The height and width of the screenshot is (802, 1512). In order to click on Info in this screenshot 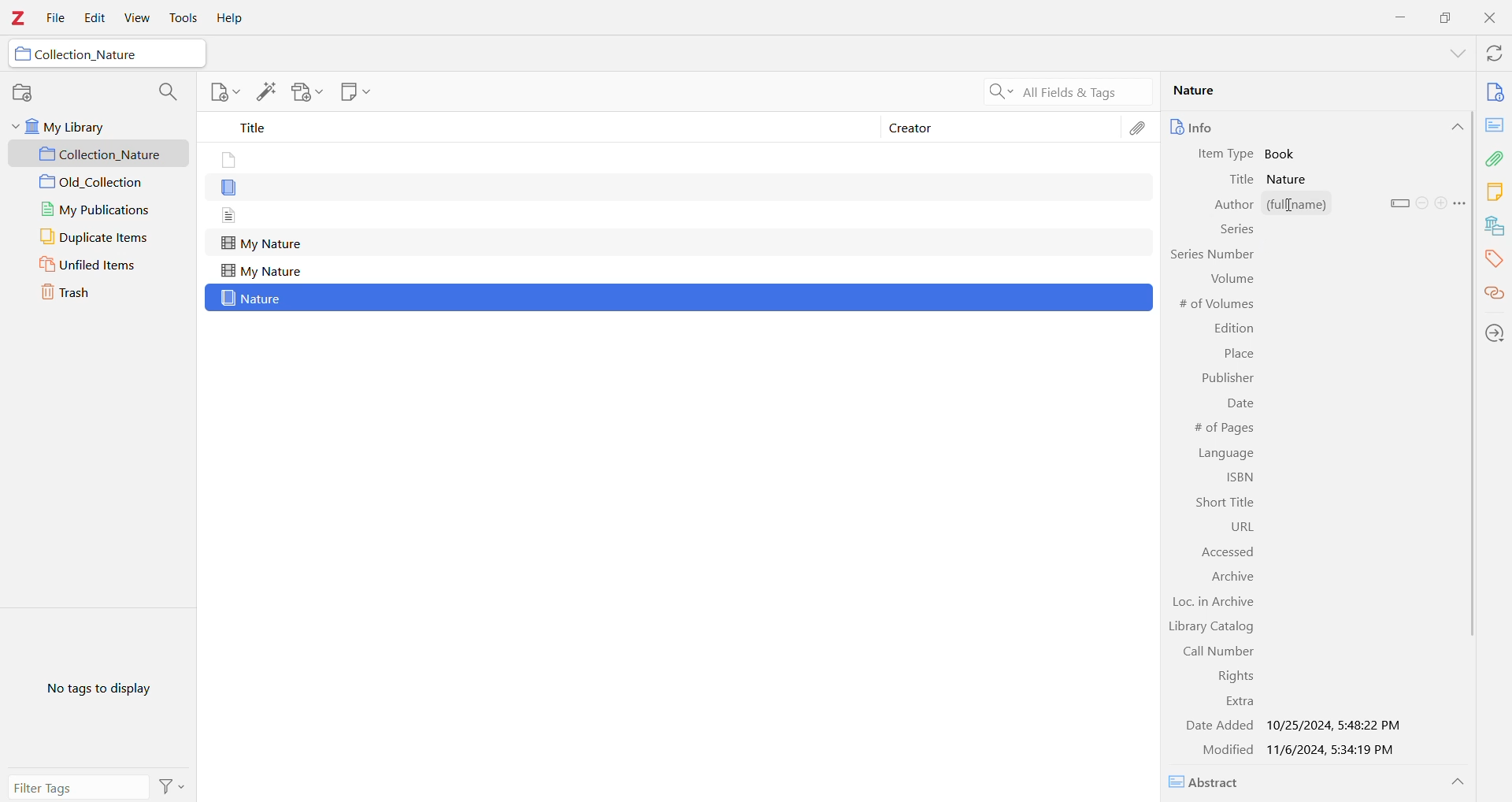, I will do `click(1495, 94)`.